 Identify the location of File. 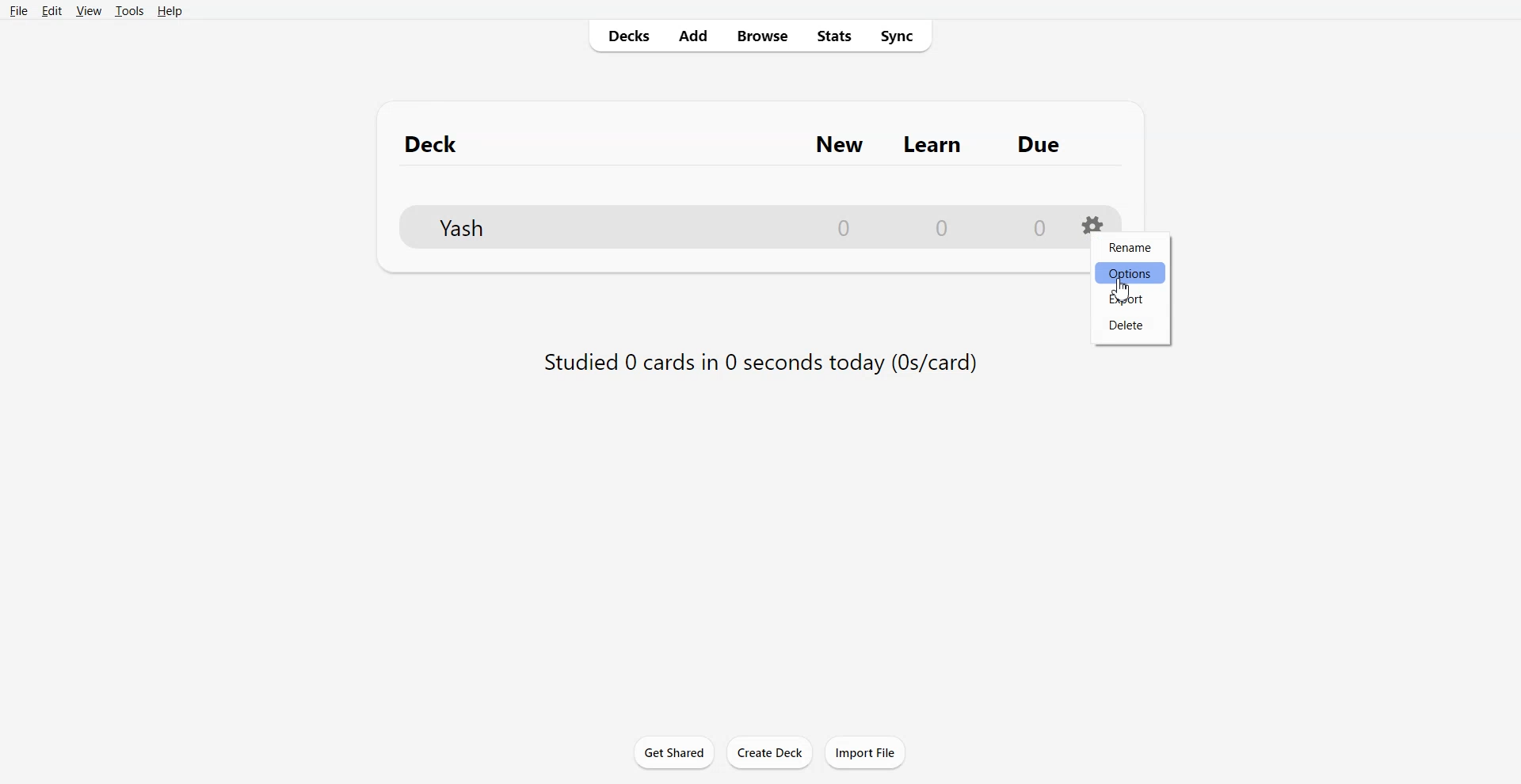
(19, 10).